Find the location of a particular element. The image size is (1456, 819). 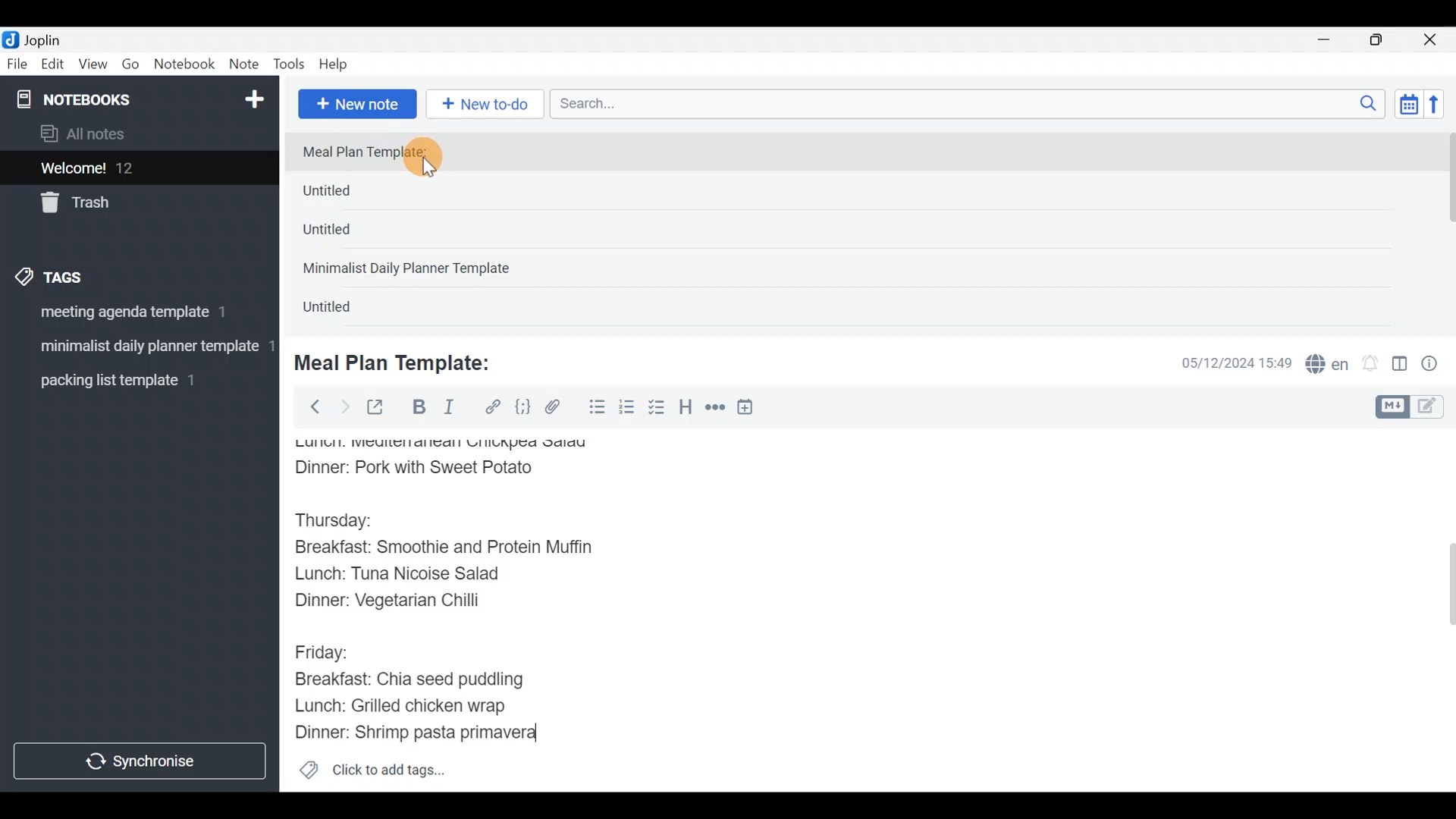

Meal Plan Template: is located at coordinates (402, 361).